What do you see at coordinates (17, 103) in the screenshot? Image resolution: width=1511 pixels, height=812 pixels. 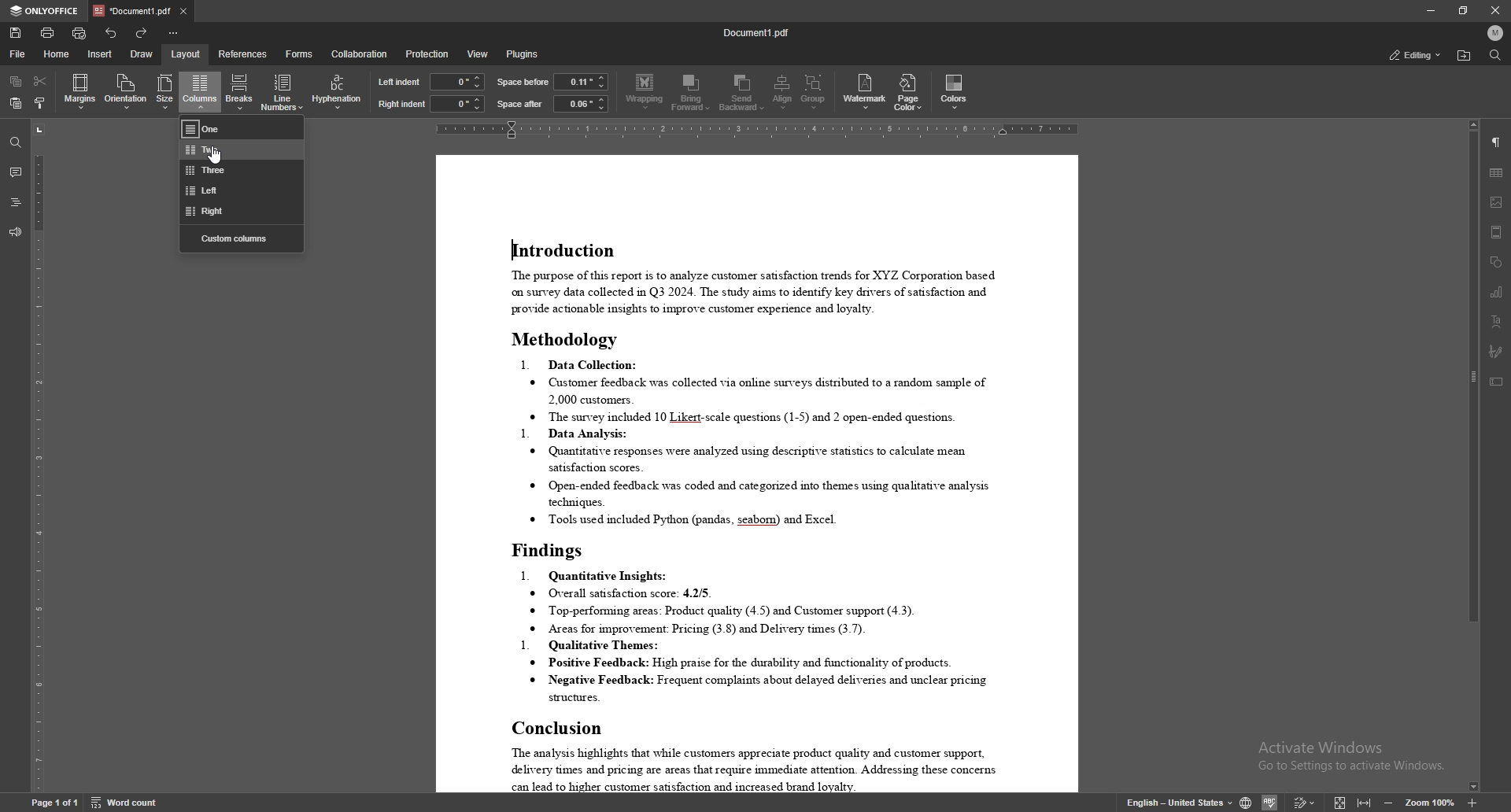 I see `paste` at bounding box center [17, 103].